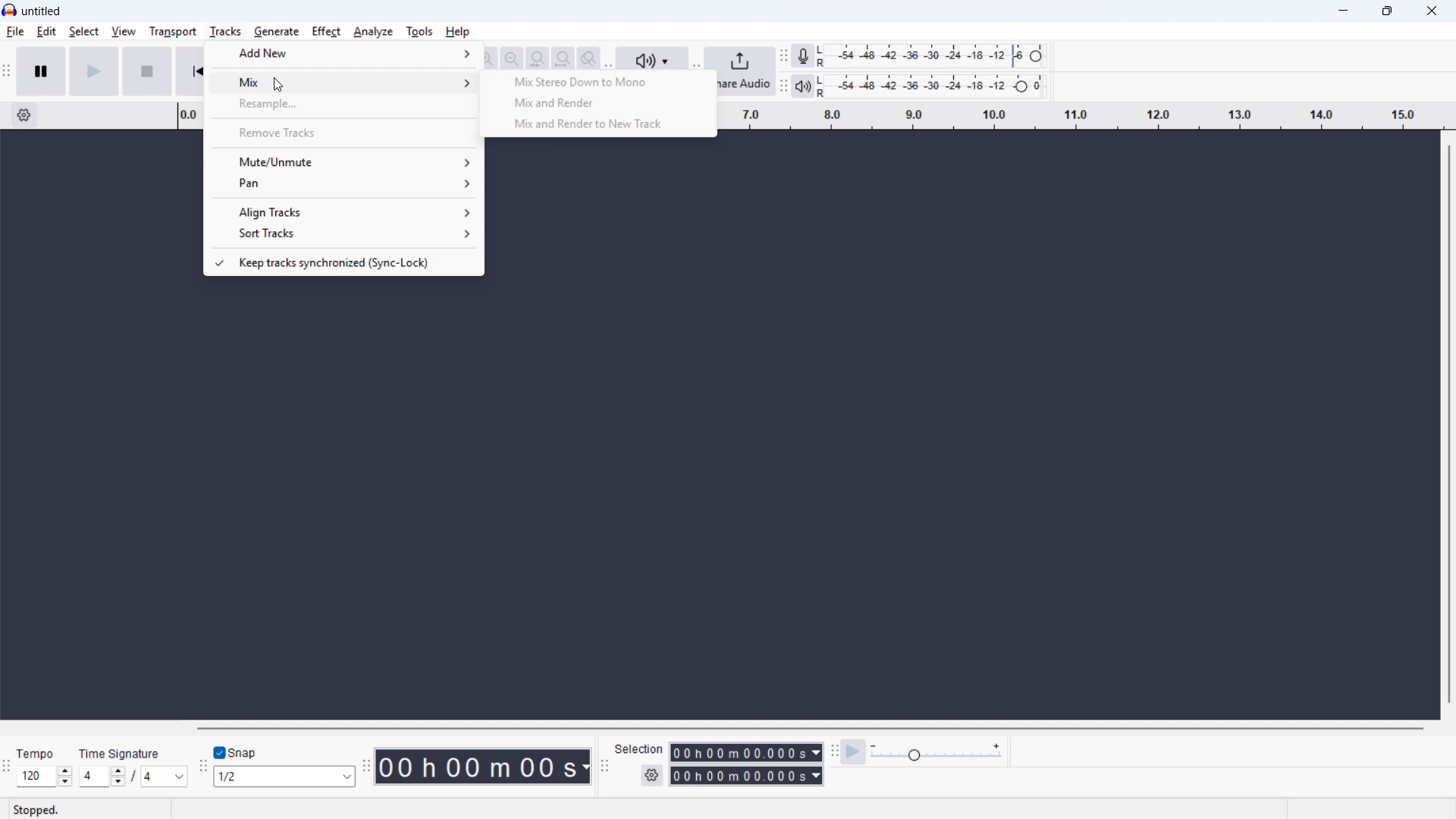 Image resolution: width=1456 pixels, height=819 pixels. Describe the element at coordinates (342, 82) in the screenshot. I see `mix ` at that location.